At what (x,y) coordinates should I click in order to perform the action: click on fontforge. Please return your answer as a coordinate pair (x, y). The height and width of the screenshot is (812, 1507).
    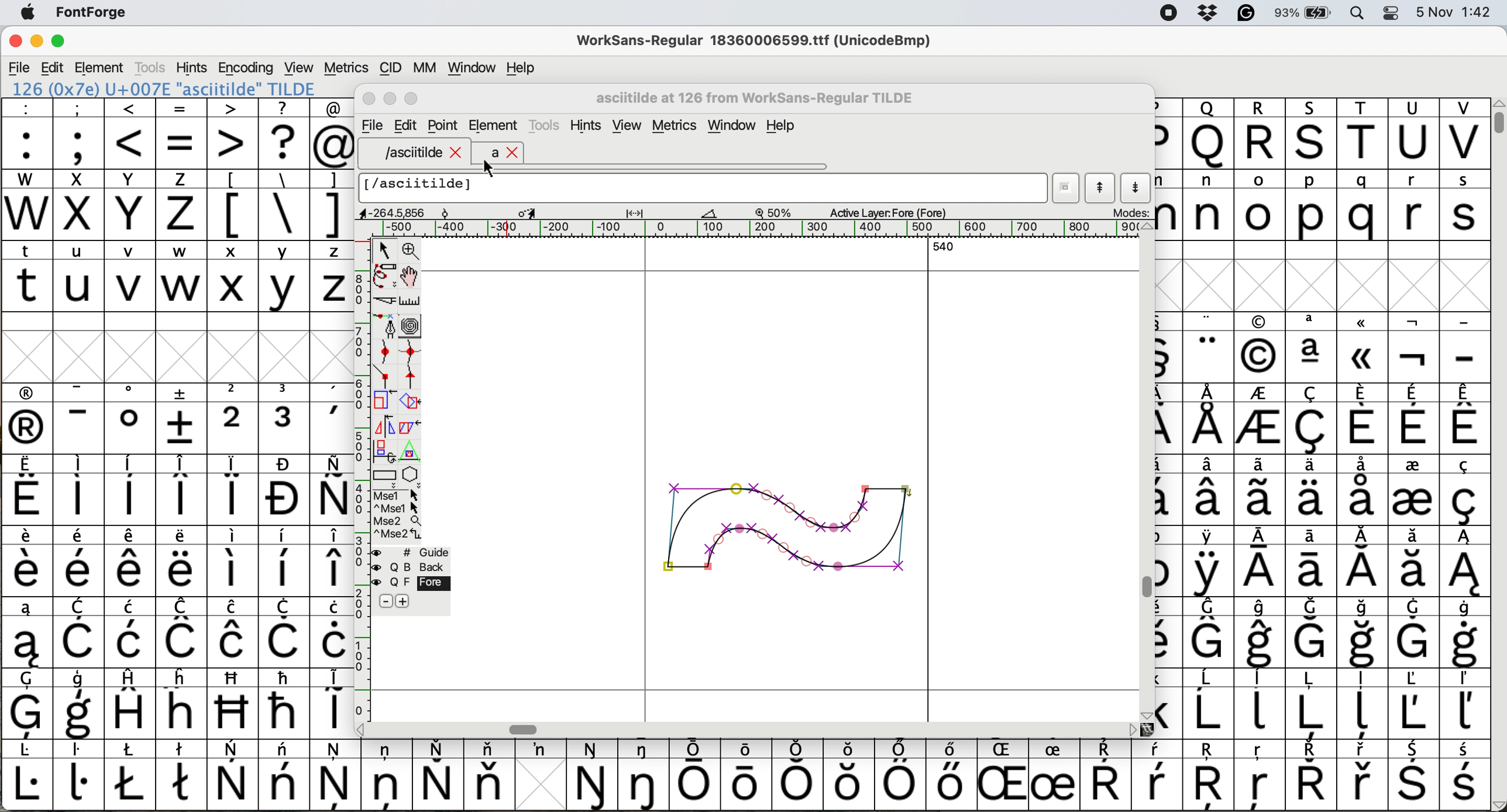
    Looking at the image, I should click on (95, 13).